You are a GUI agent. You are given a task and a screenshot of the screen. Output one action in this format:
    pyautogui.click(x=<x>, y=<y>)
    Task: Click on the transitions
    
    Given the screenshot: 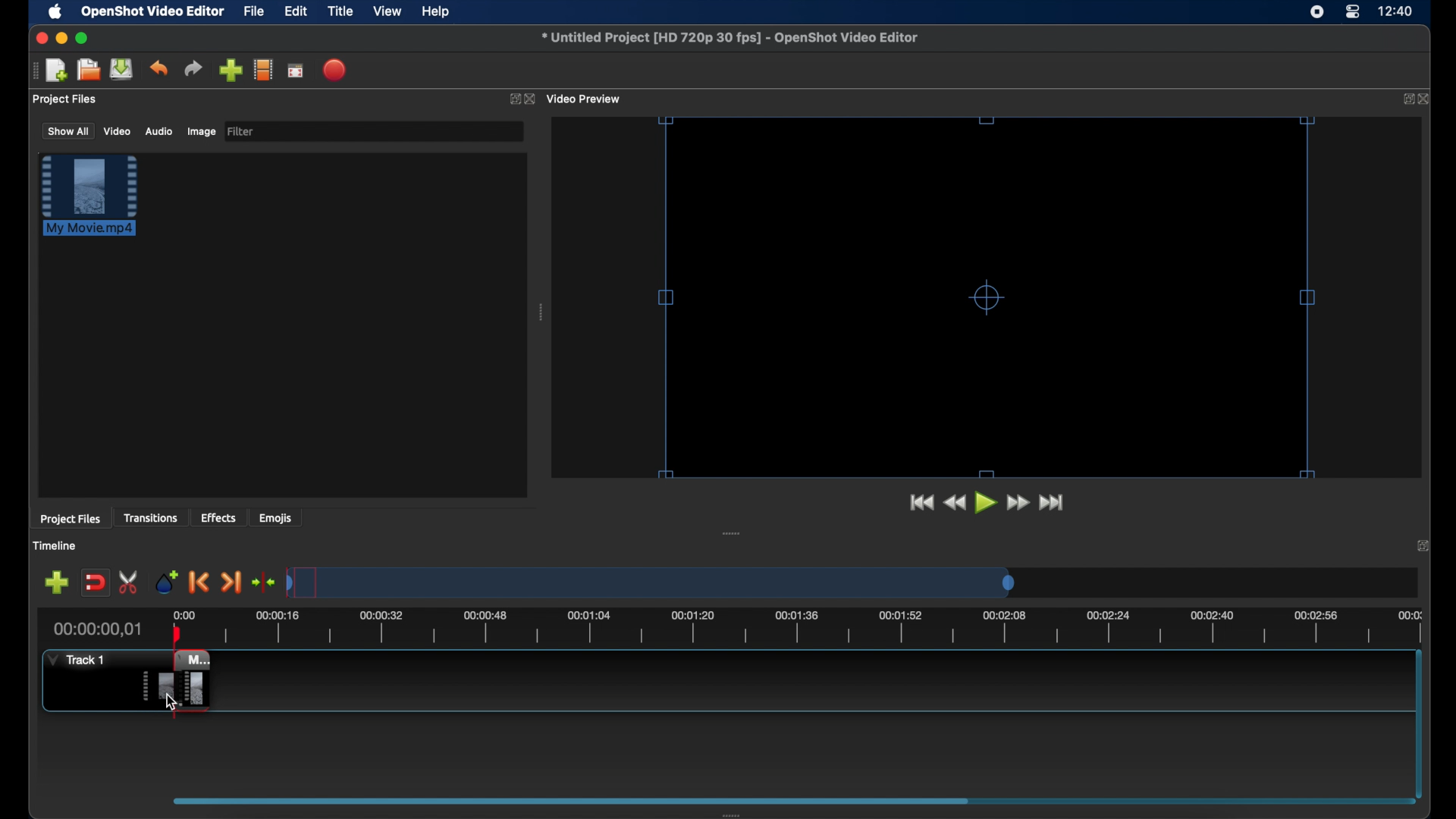 What is the action you would take?
    pyautogui.click(x=152, y=519)
    